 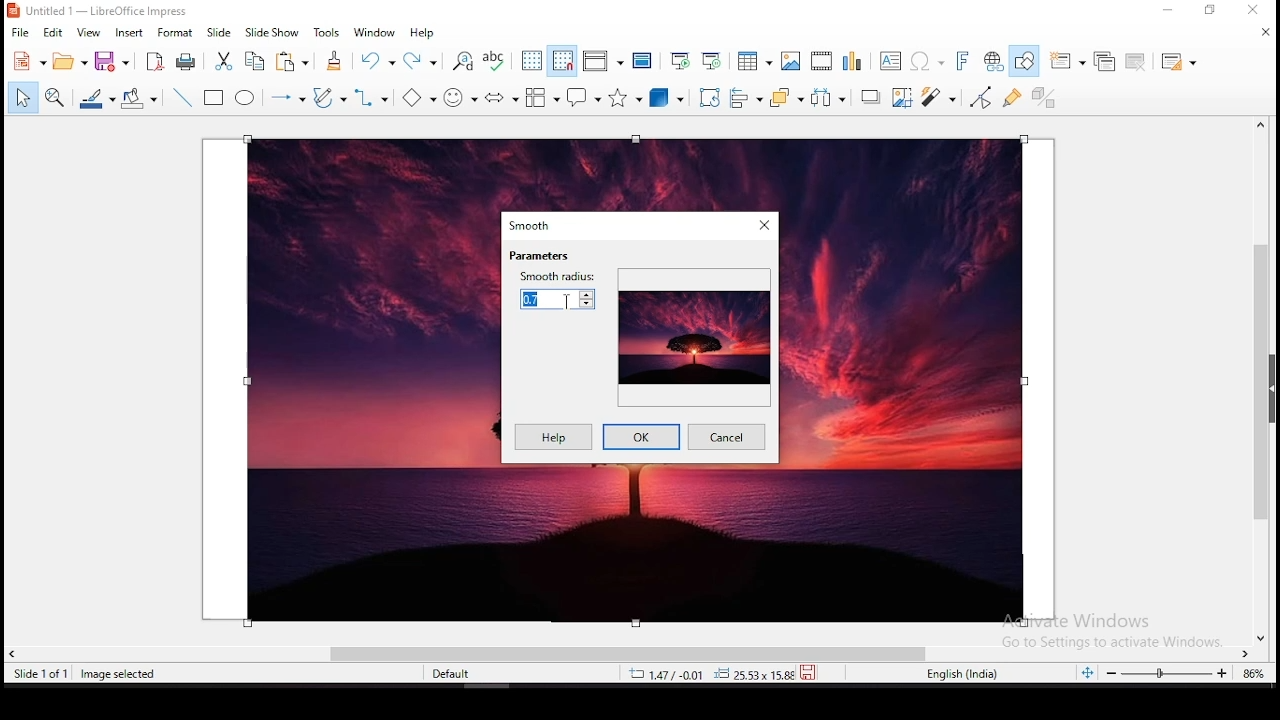 I want to click on duplicate slide, so click(x=1102, y=60).